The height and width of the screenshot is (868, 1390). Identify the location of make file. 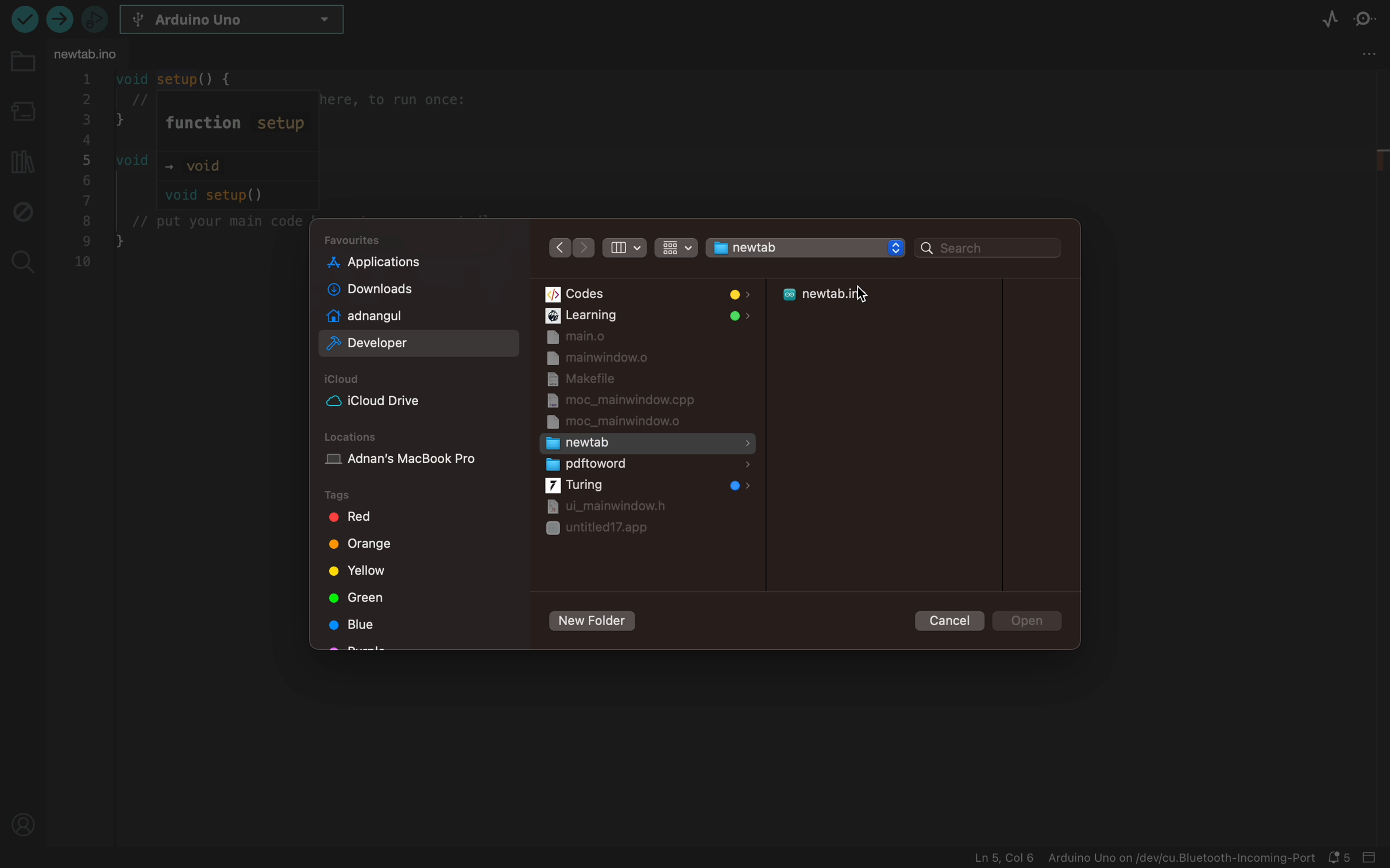
(615, 379).